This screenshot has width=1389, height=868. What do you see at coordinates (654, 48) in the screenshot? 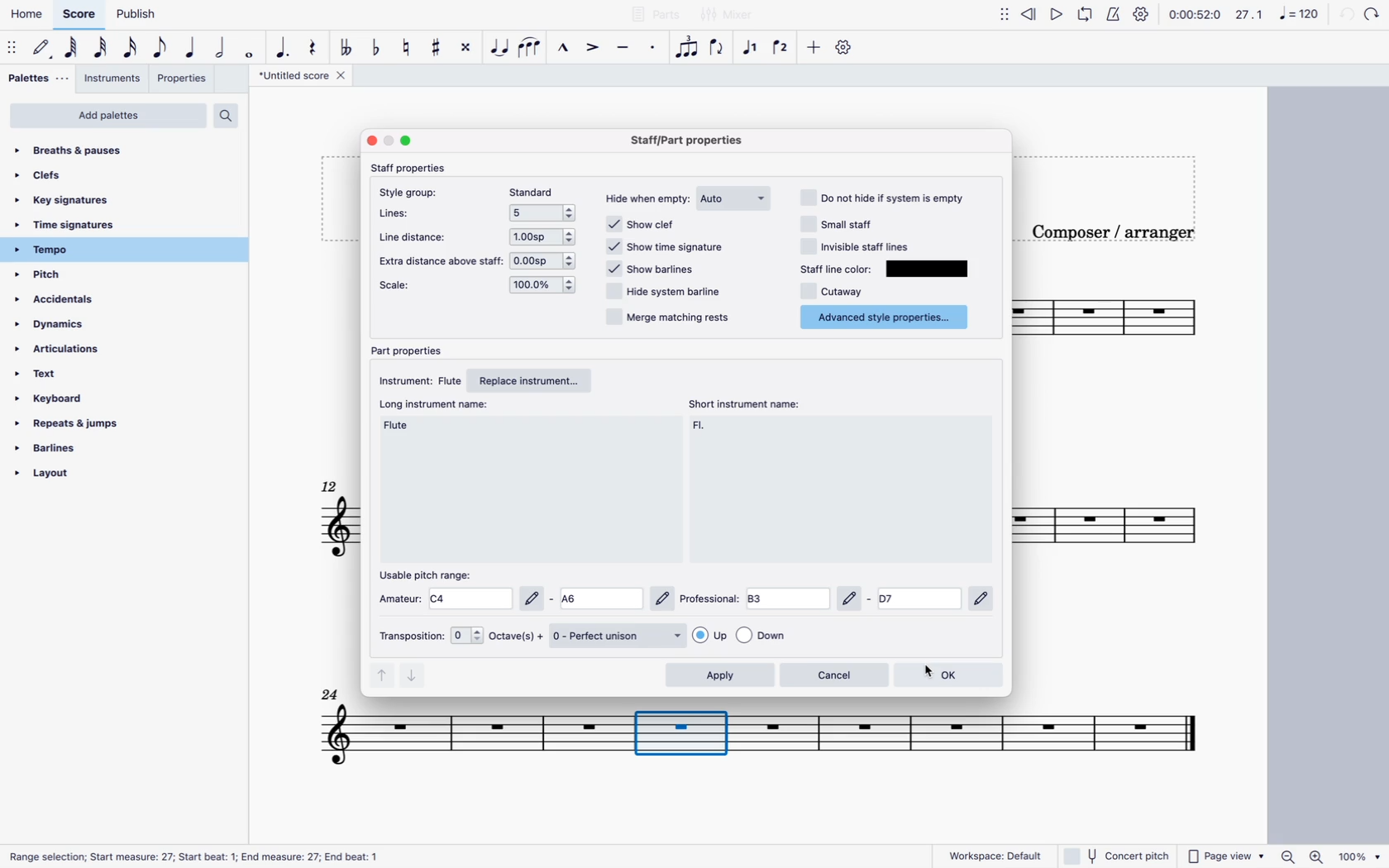
I see `staccato` at bounding box center [654, 48].